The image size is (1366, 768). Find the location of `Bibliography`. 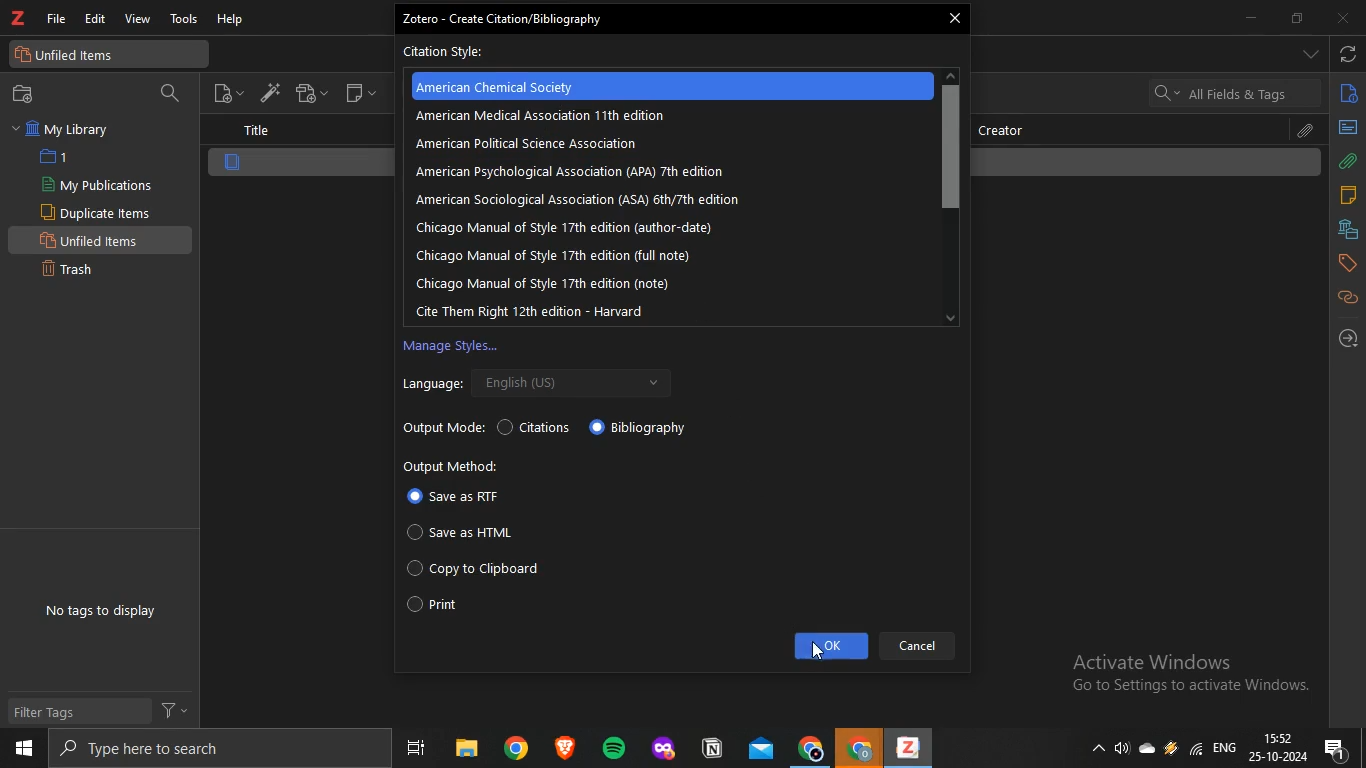

Bibliography is located at coordinates (648, 430).